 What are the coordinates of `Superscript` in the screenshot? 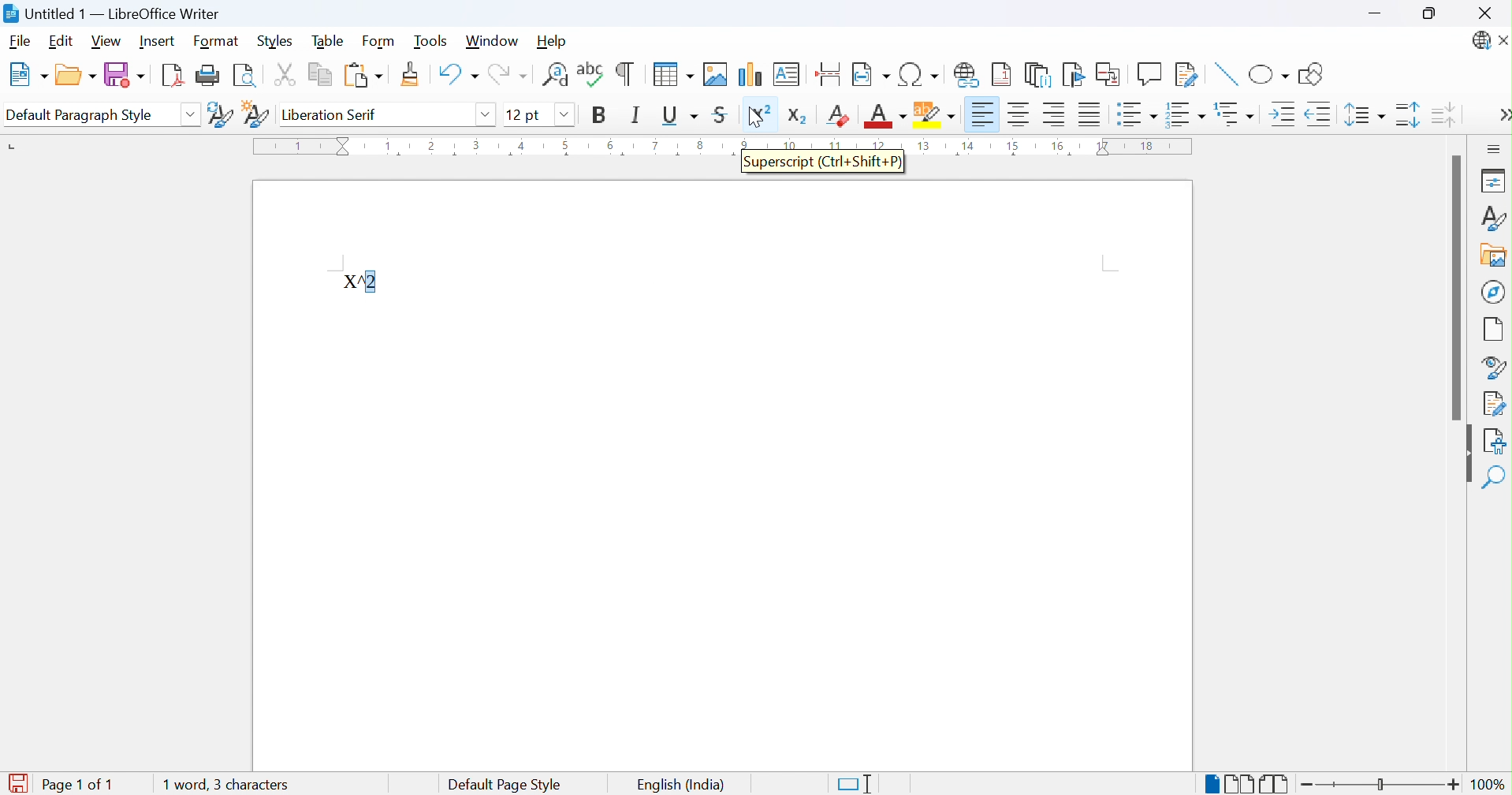 It's located at (757, 114).